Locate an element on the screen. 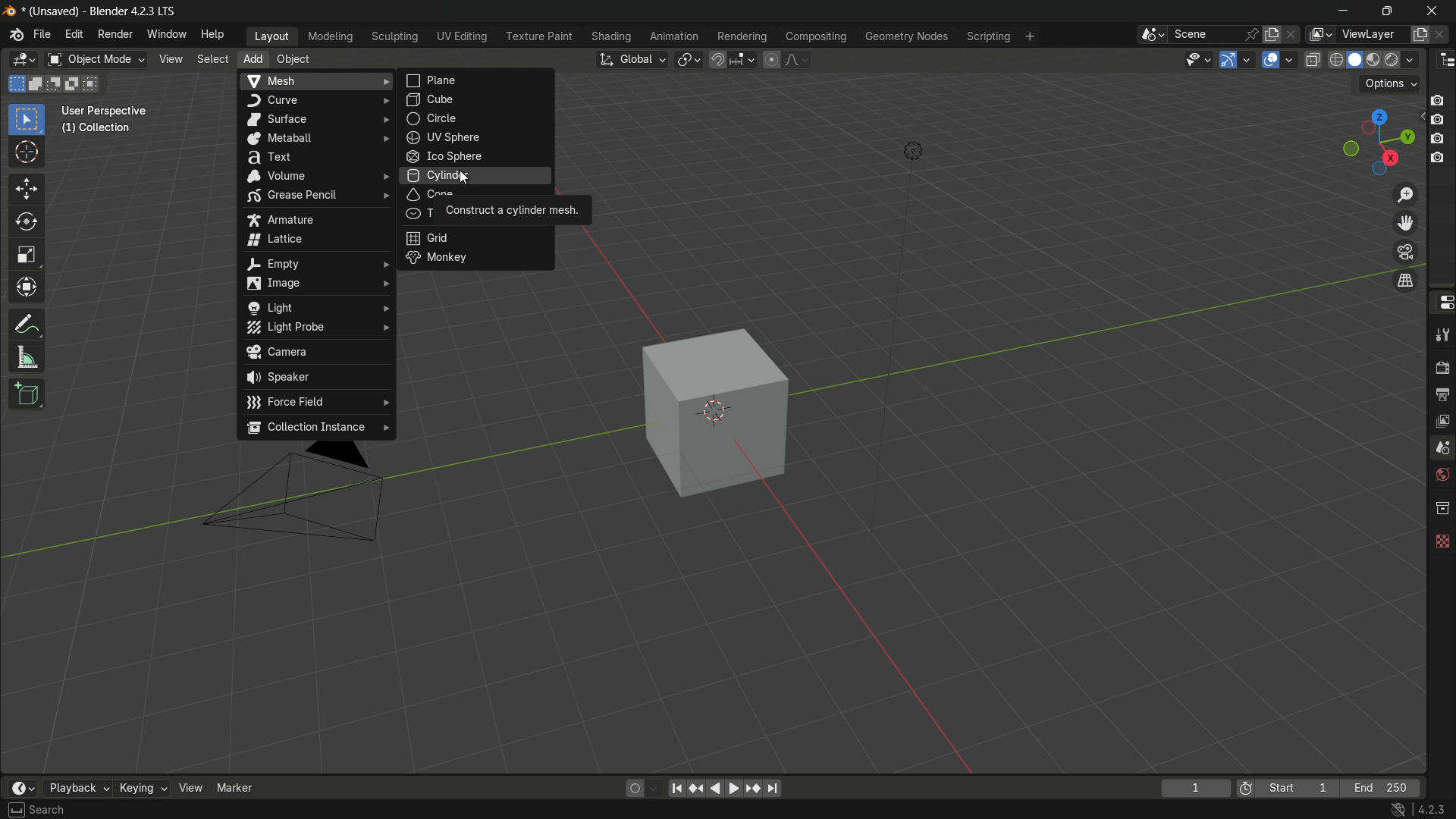 The image size is (1456, 819). add menu is located at coordinates (251, 60).